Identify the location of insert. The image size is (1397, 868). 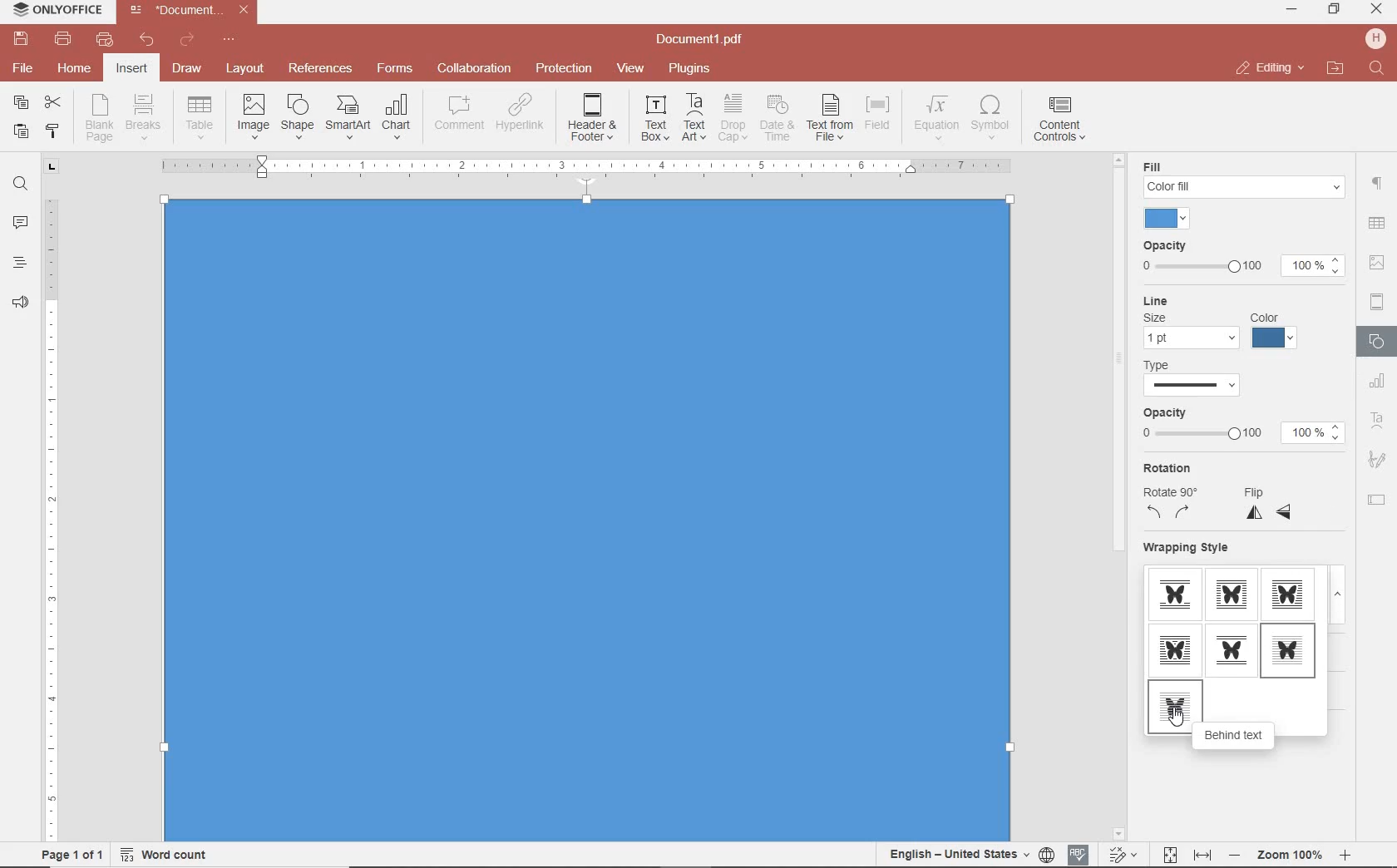
(131, 70).